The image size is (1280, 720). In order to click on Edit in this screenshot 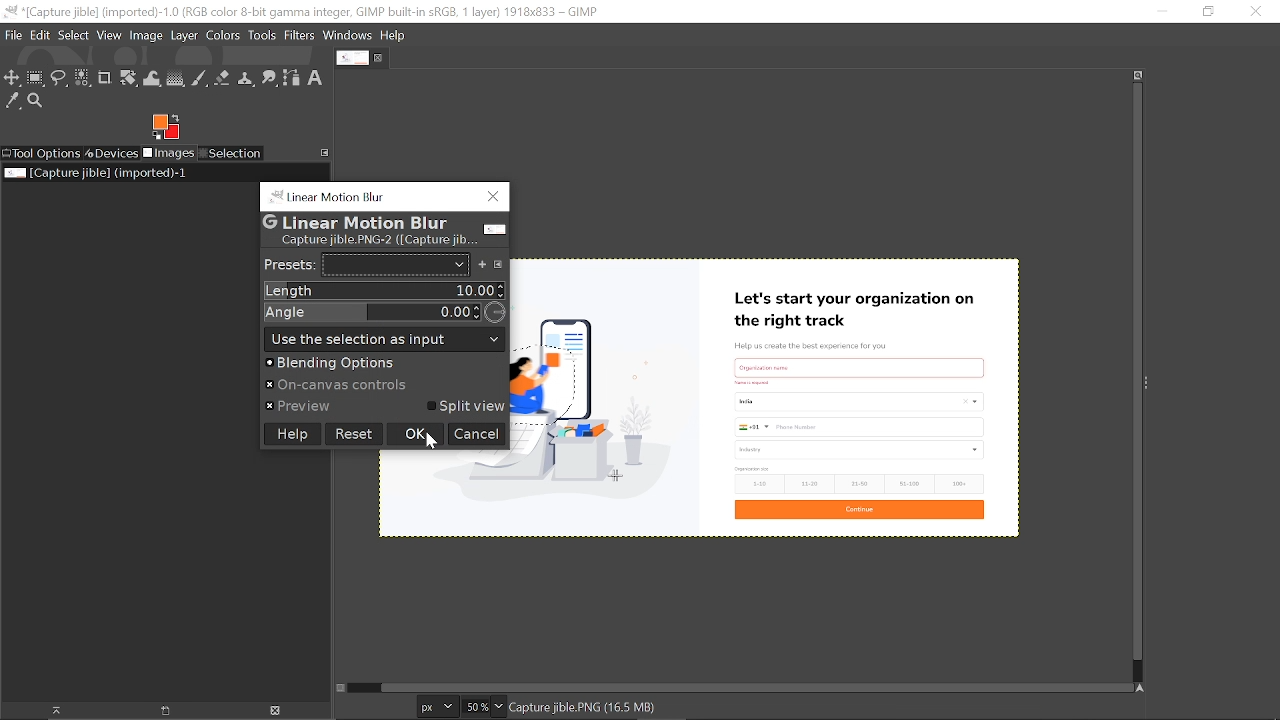, I will do `click(42, 35)`.